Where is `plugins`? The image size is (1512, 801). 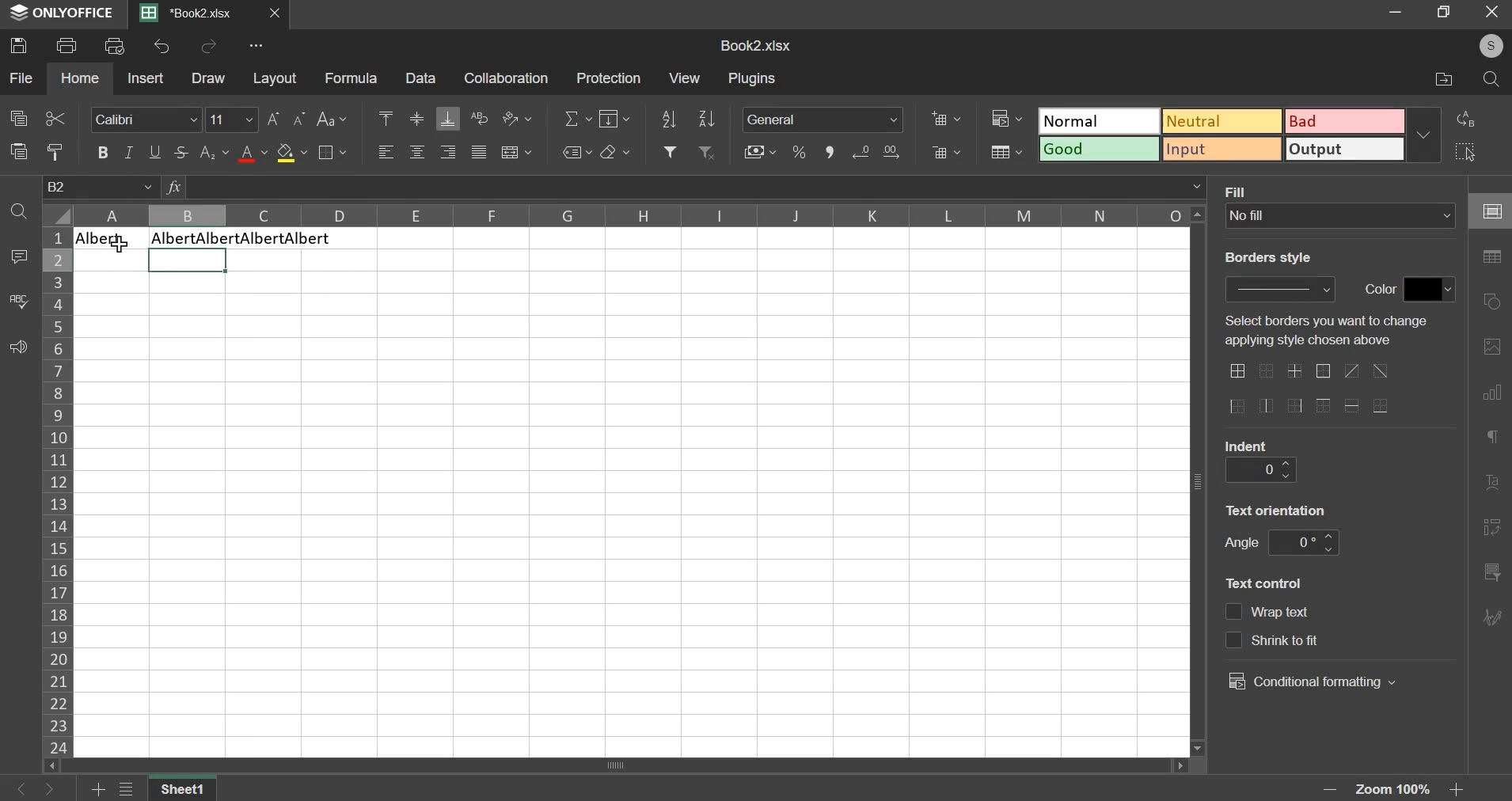
plugins is located at coordinates (754, 79).